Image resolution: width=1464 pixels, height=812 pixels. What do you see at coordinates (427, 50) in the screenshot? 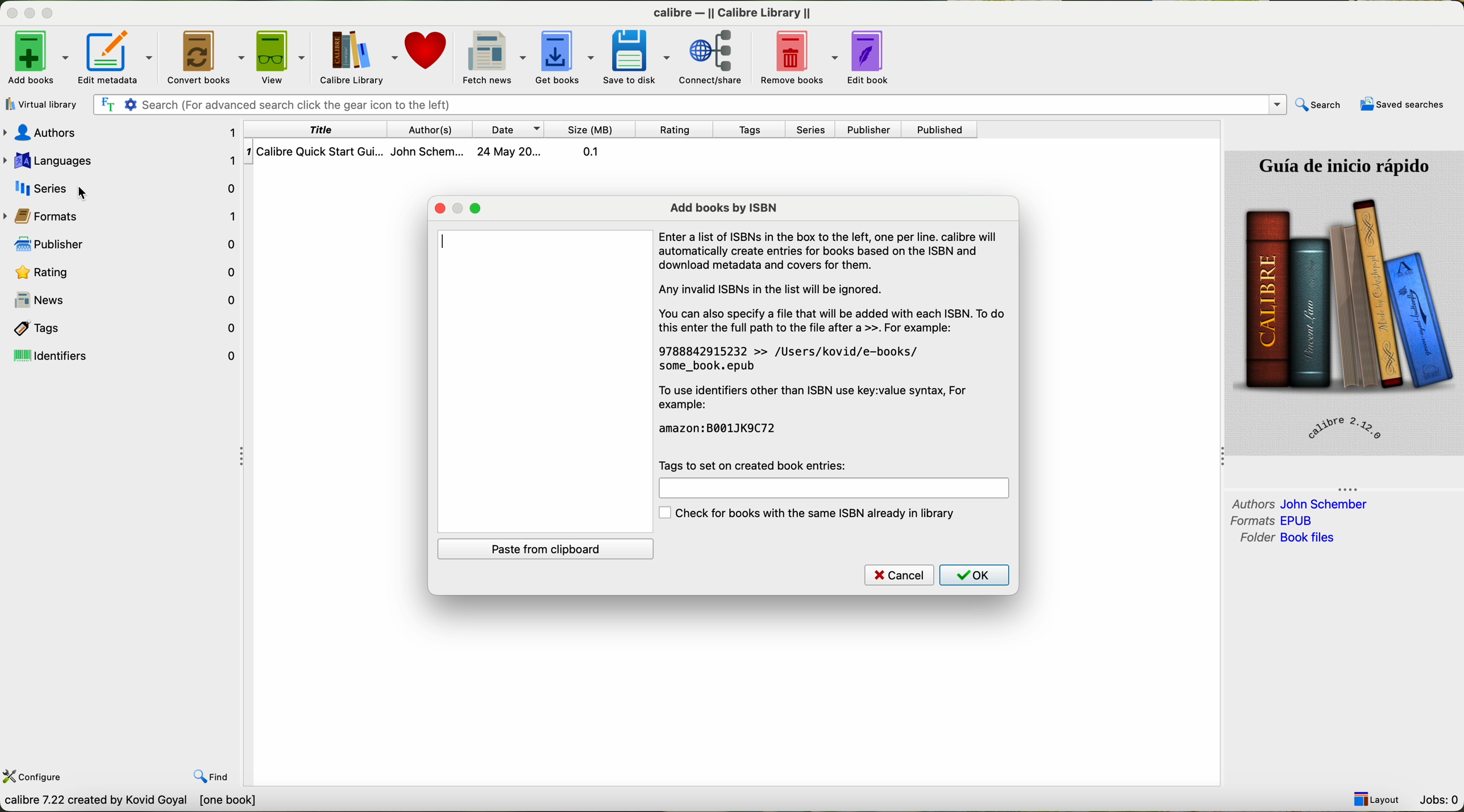
I see `donate` at bounding box center [427, 50].